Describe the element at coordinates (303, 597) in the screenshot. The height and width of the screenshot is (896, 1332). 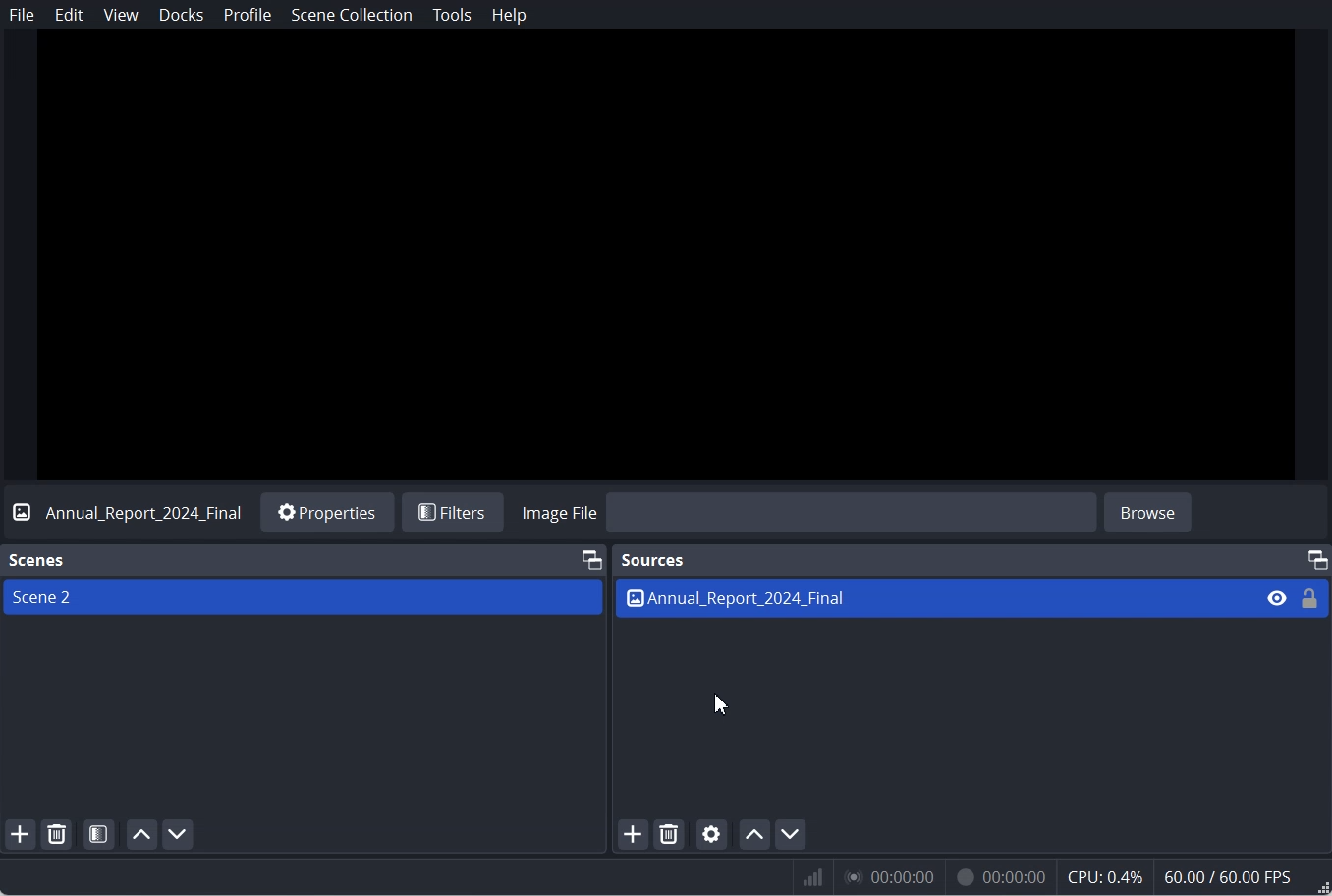
I see `Scene` at that location.